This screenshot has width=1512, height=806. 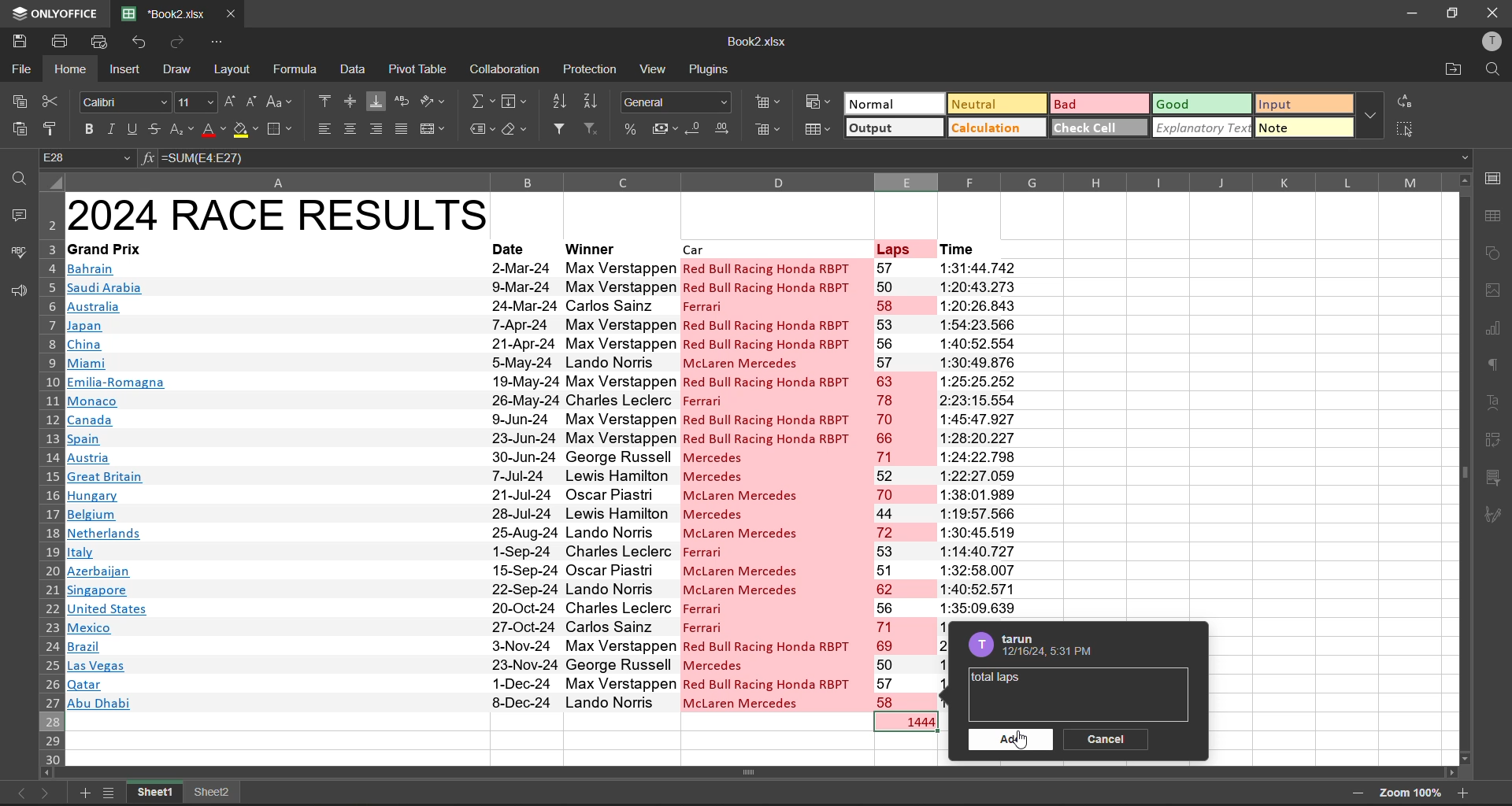 What do you see at coordinates (135, 43) in the screenshot?
I see `undo` at bounding box center [135, 43].